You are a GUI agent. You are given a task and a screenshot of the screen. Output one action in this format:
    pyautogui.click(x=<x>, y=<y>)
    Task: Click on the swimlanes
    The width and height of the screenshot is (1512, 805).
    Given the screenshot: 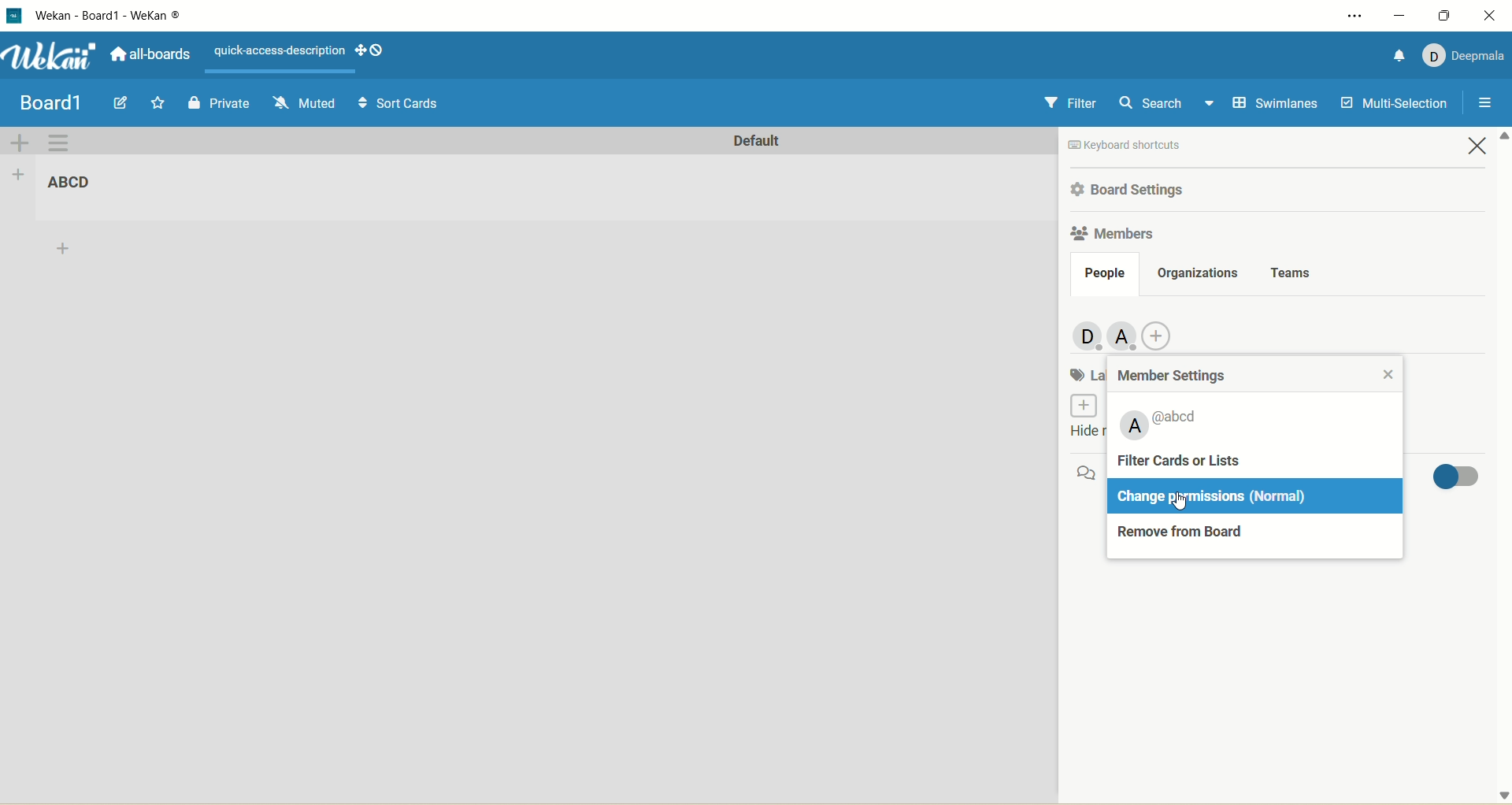 What is the action you would take?
    pyautogui.click(x=1272, y=106)
    